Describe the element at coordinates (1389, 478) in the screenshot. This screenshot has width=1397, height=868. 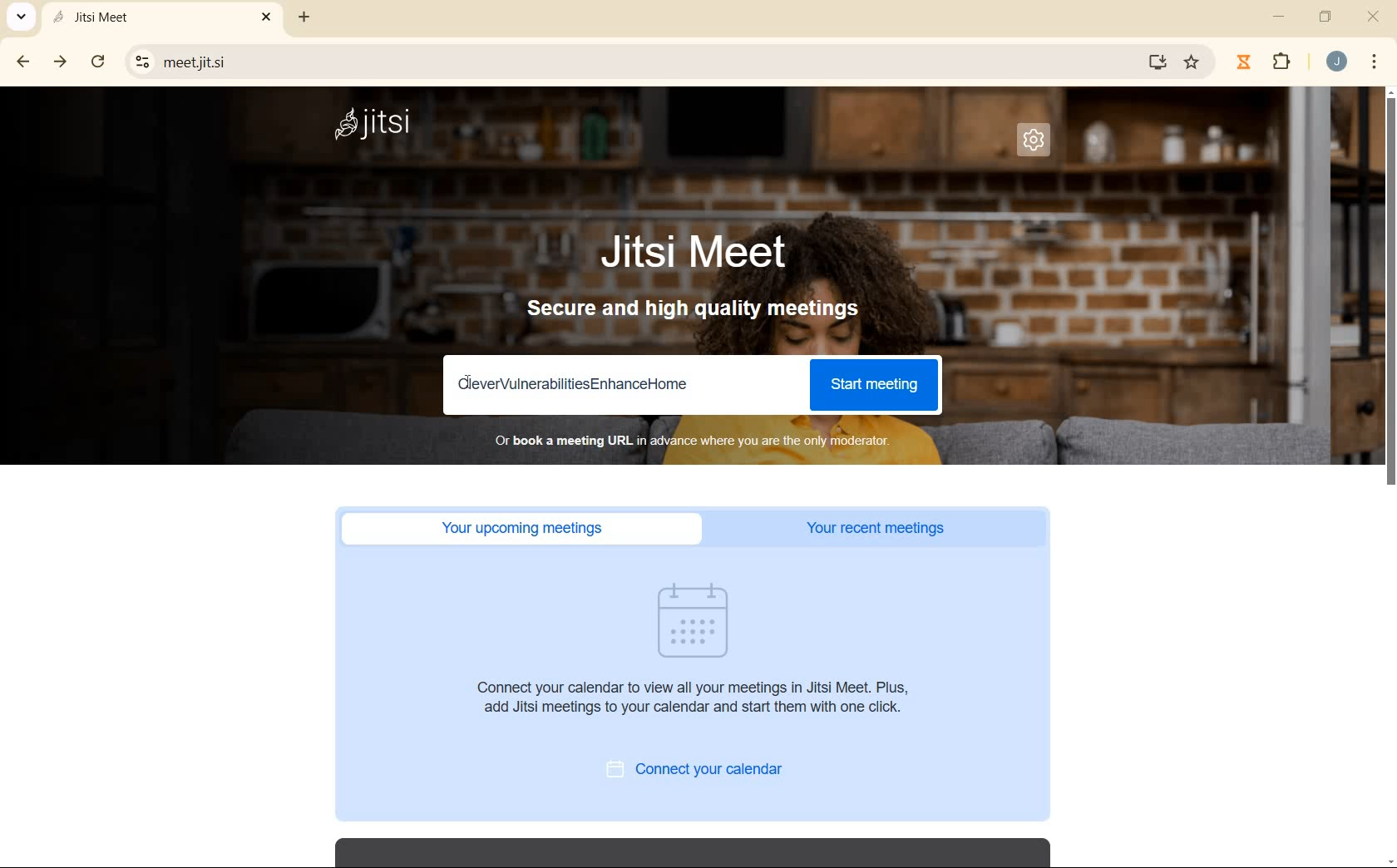
I see `SCROLLBAR` at that location.